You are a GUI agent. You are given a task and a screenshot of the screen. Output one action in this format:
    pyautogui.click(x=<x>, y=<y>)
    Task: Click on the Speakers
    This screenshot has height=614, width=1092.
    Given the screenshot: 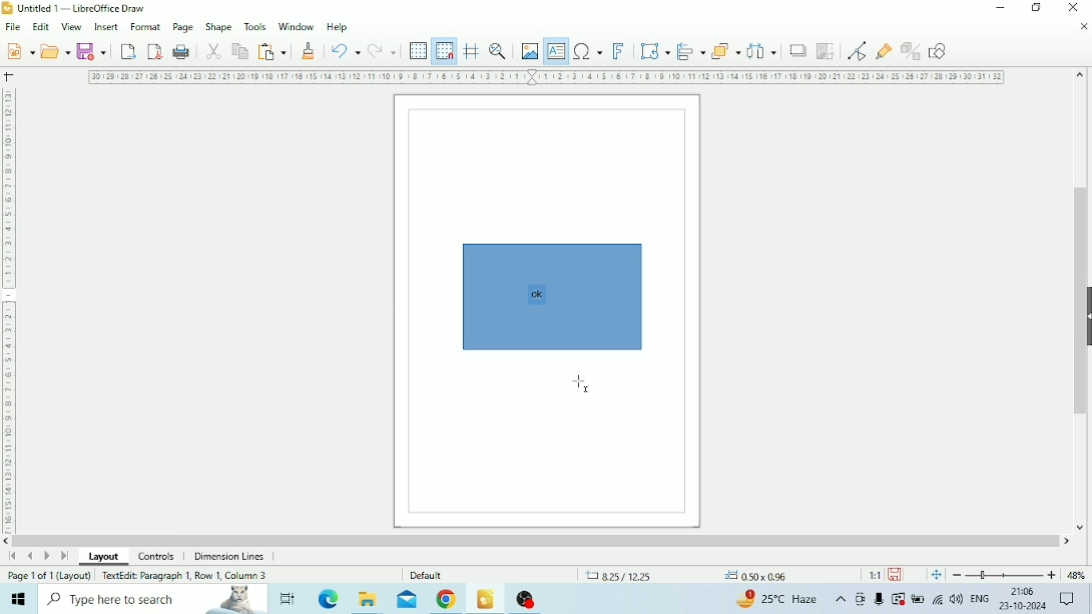 What is the action you would take?
    pyautogui.click(x=957, y=599)
    